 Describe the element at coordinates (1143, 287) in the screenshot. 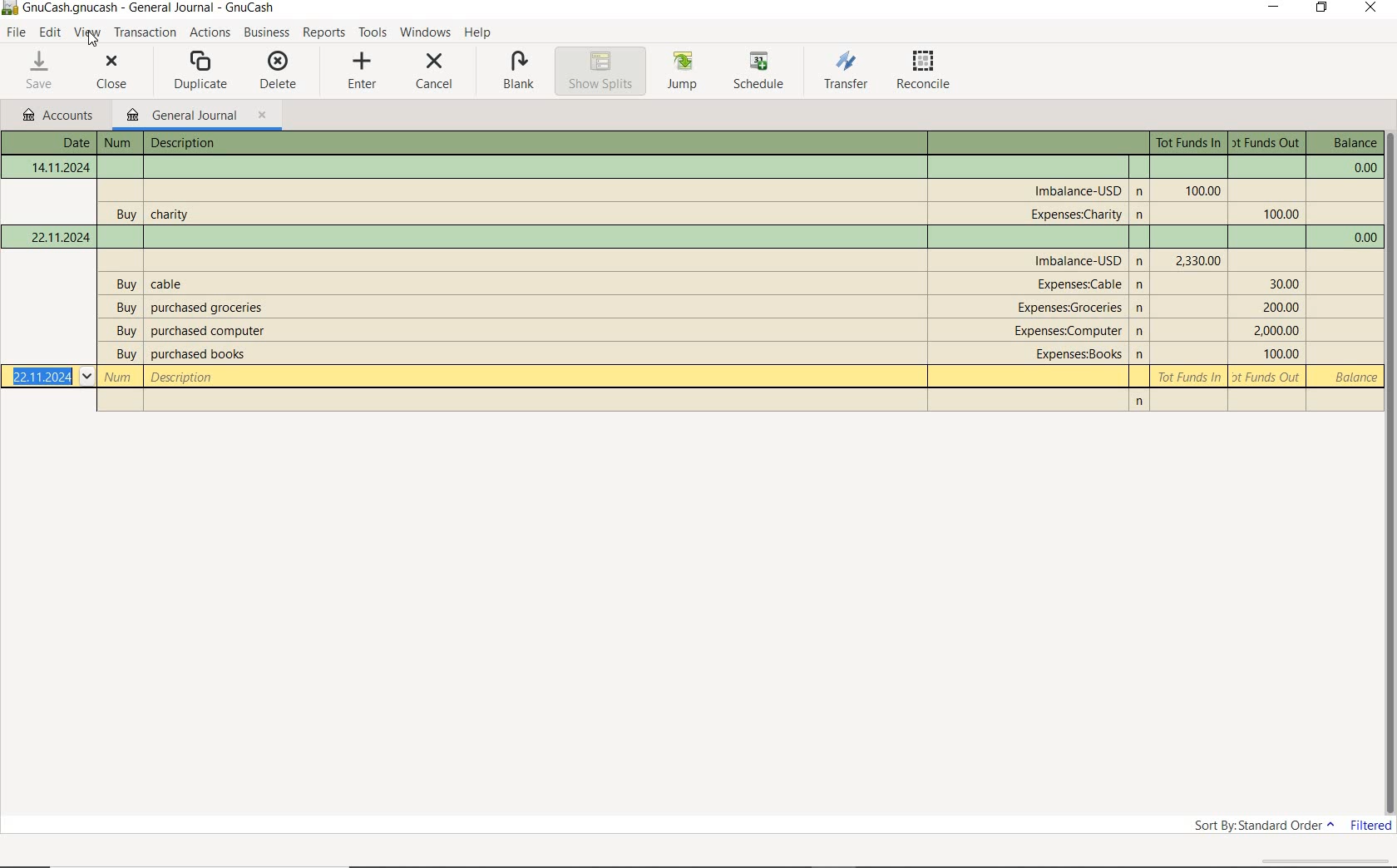

I see `n` at that location.